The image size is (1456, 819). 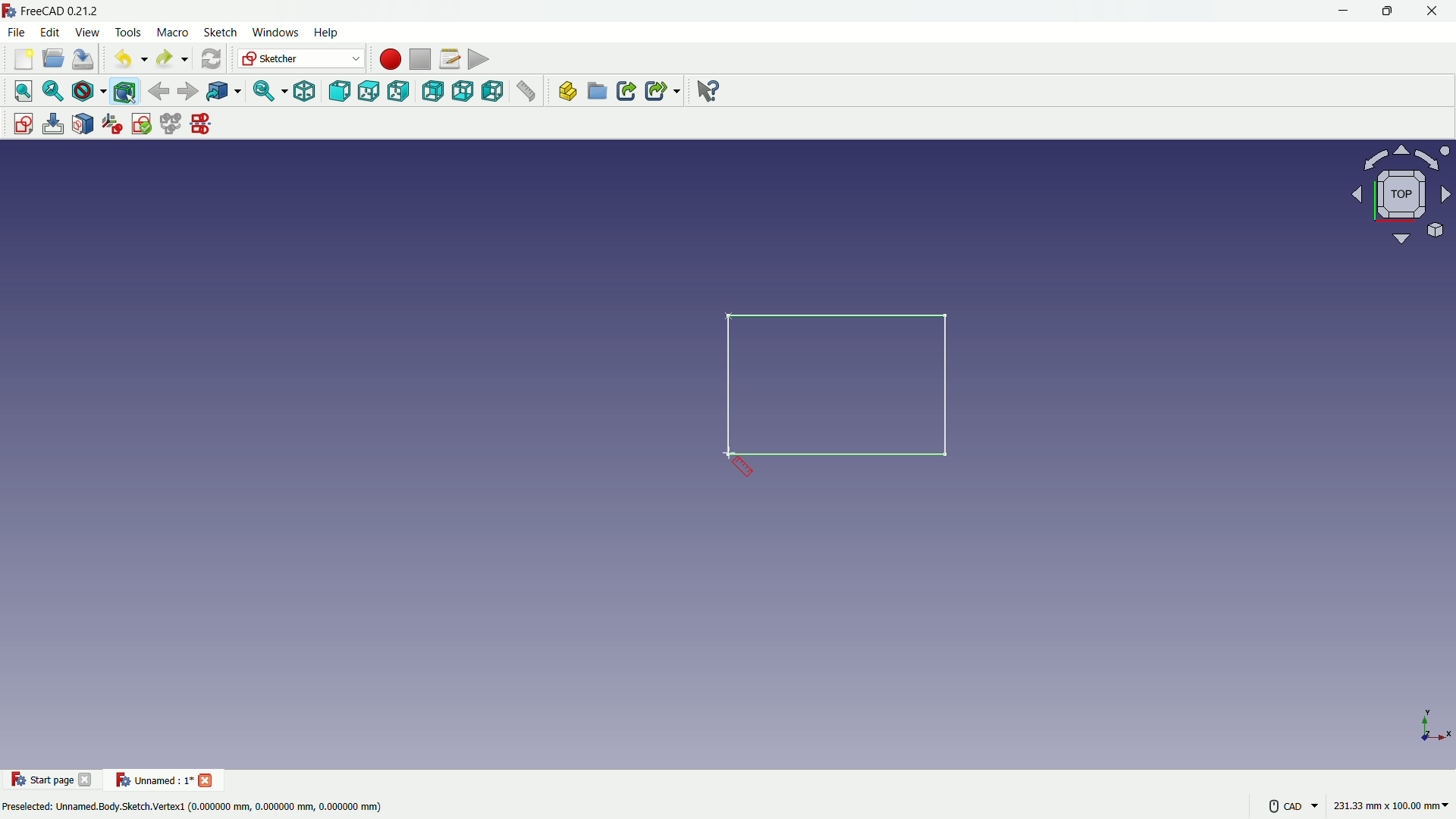 I want to click on view menu, so click(x=86, y=33).